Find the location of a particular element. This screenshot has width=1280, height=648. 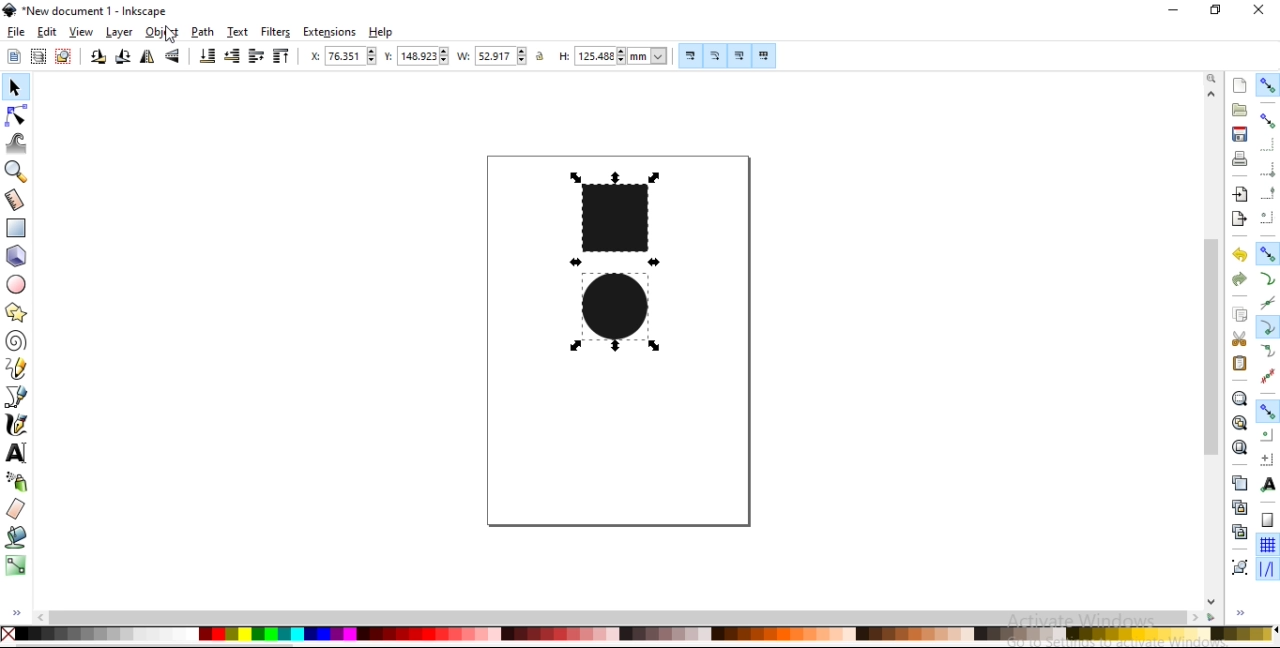

export a document is located at coordinates (1237, 220).